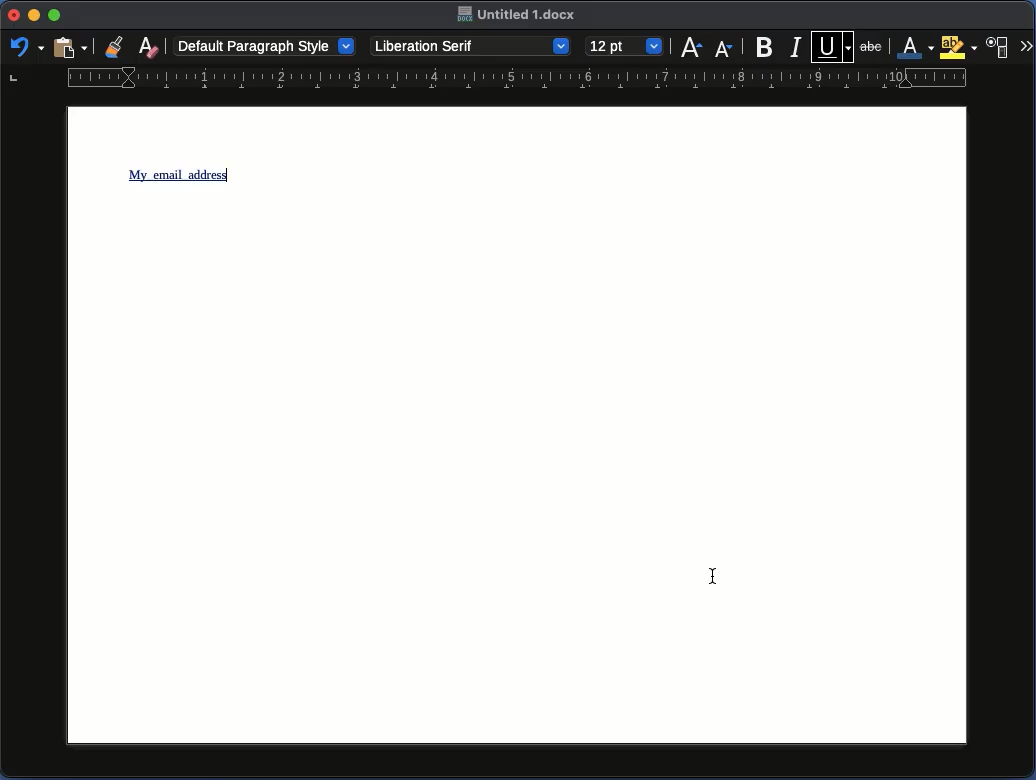 The image size is (1036, 780). Describe the element at coordinates (489, 81) in the screenshot. I see `Ruler` at that location.